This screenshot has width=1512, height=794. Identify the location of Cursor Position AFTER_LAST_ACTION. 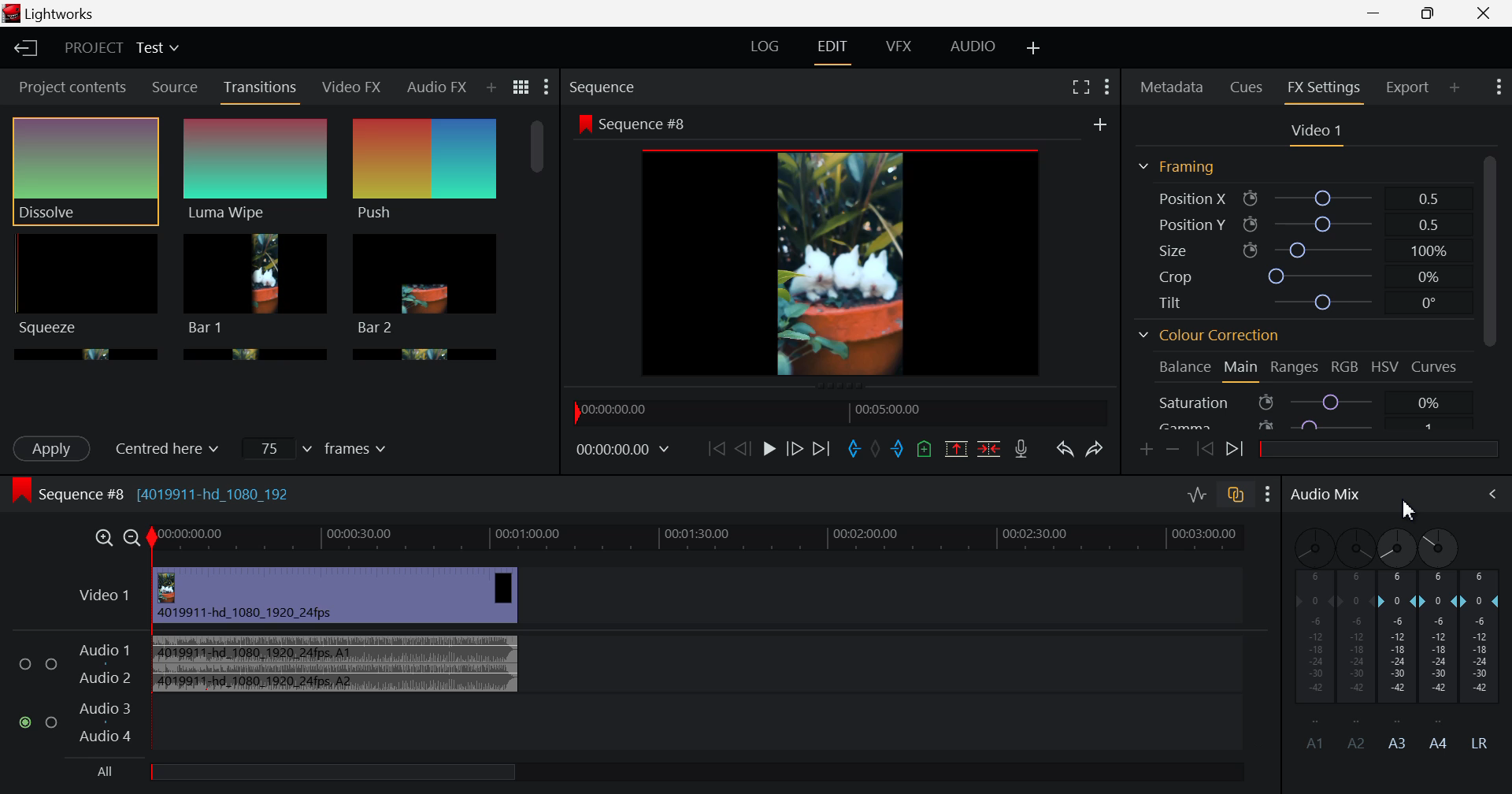
(1410, 508).